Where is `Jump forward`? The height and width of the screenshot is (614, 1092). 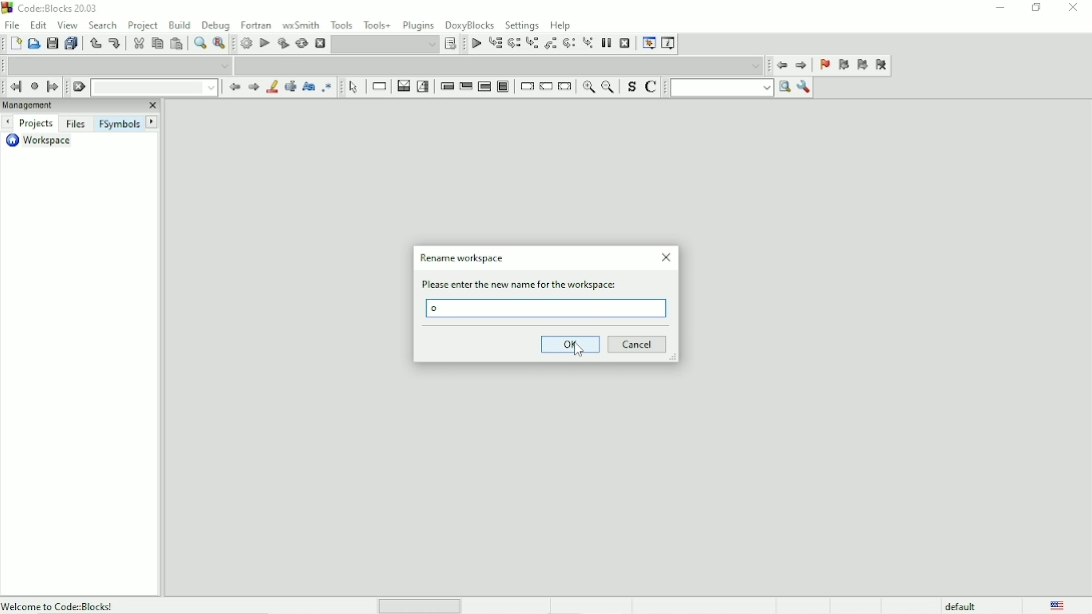 Jump forward is located at coordinates (54, 87).